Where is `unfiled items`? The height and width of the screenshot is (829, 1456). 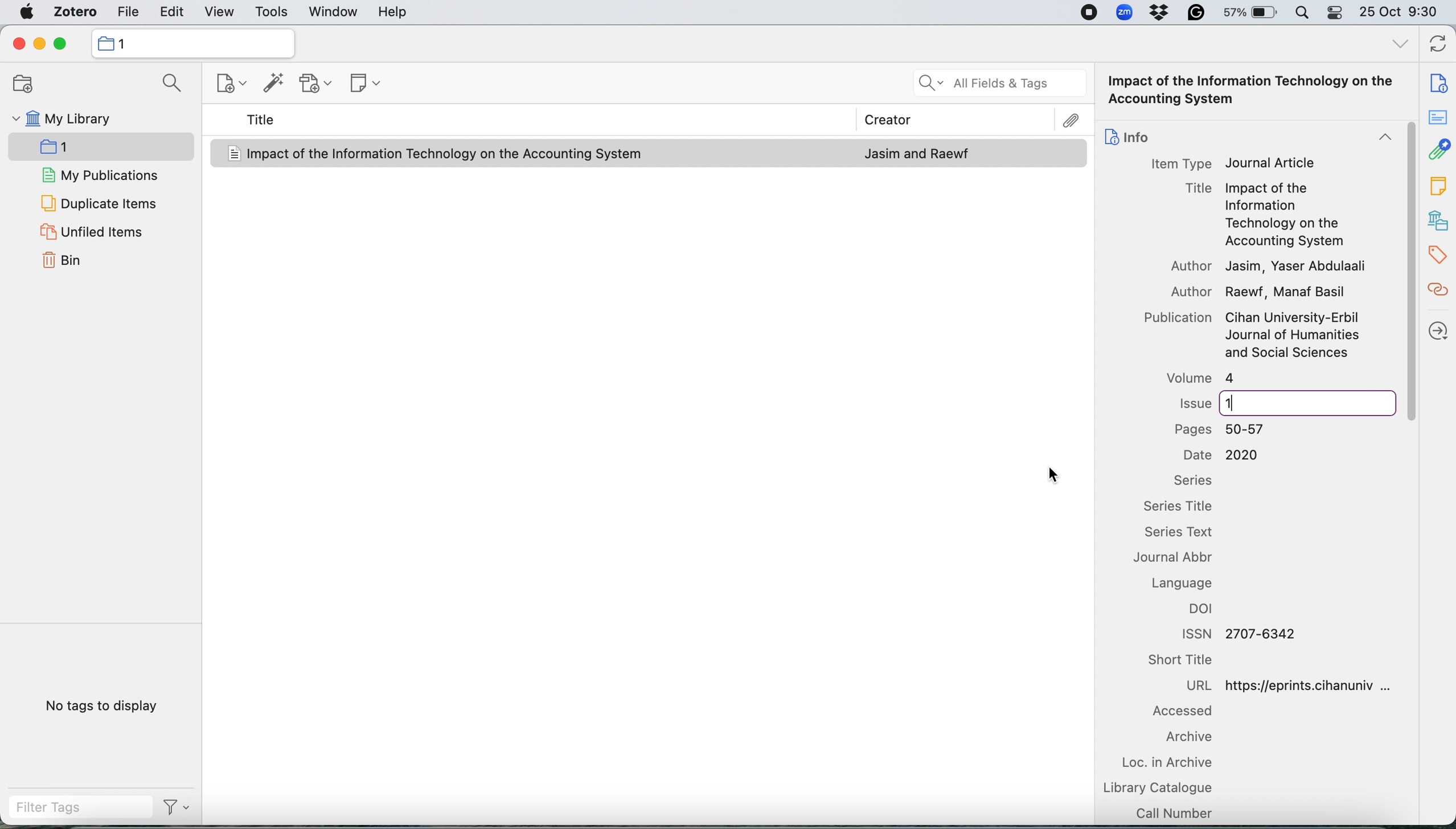
unfiled items is located at coordinates (99, 231).